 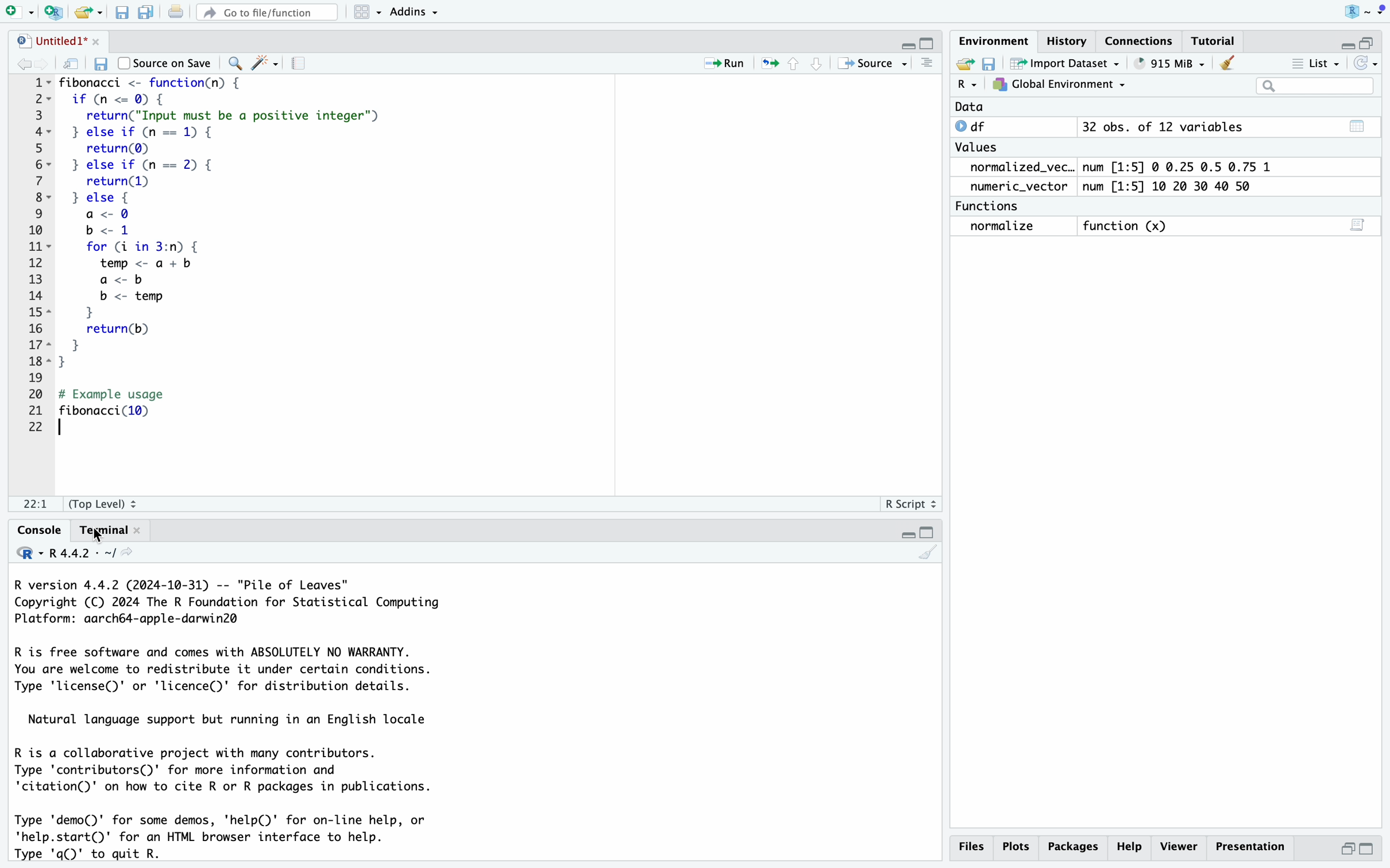 What do you see at coordinates (1072, 64) in the screenshot?
I see `import dataset` at bounding box center [1072, 64].